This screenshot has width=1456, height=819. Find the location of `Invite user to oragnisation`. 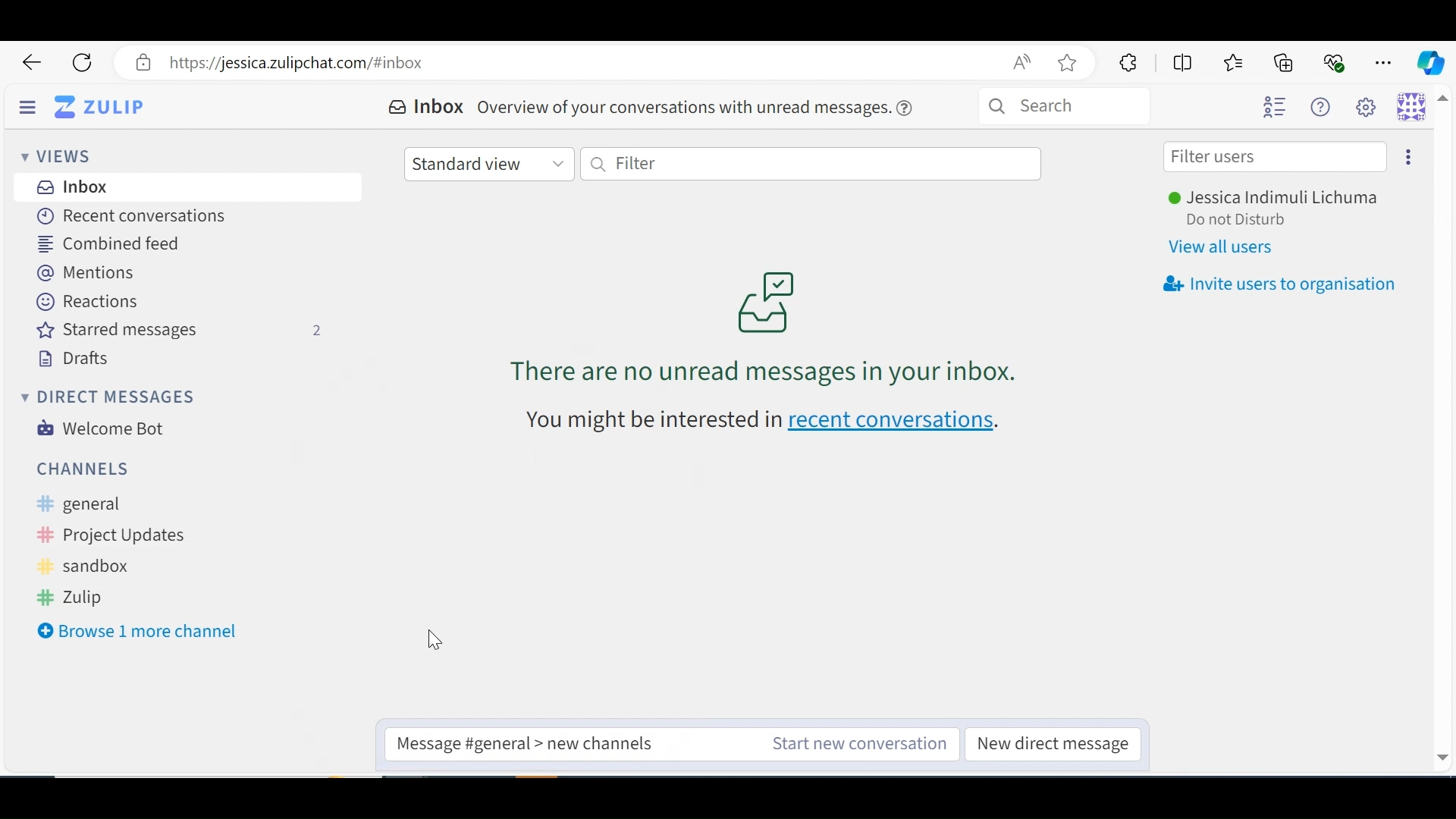

Invite user to oragnisation is located at coordinates (1278, 285).